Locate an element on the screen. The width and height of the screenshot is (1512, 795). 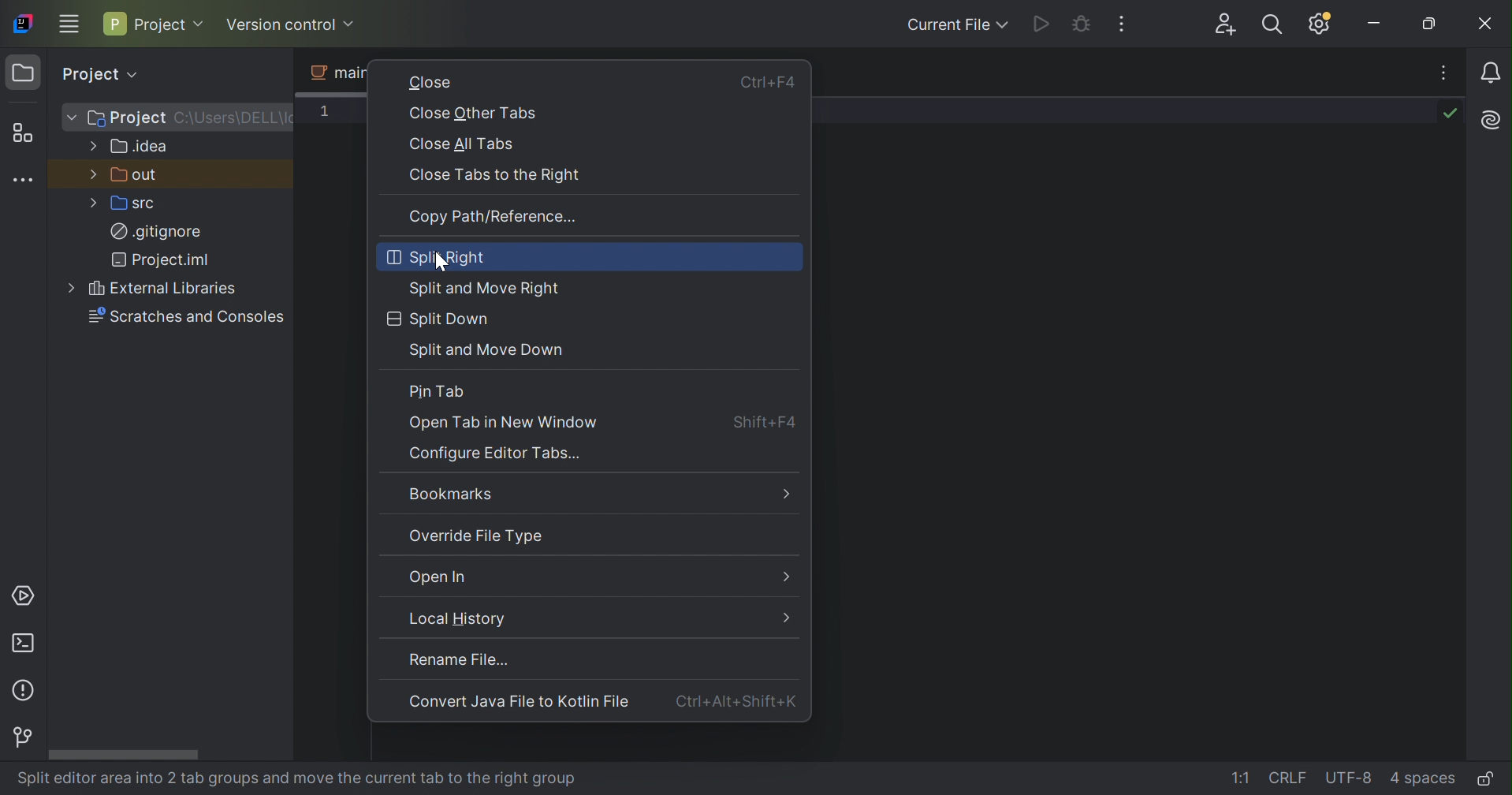
Close all tabs is located at coordinates (464, 147).